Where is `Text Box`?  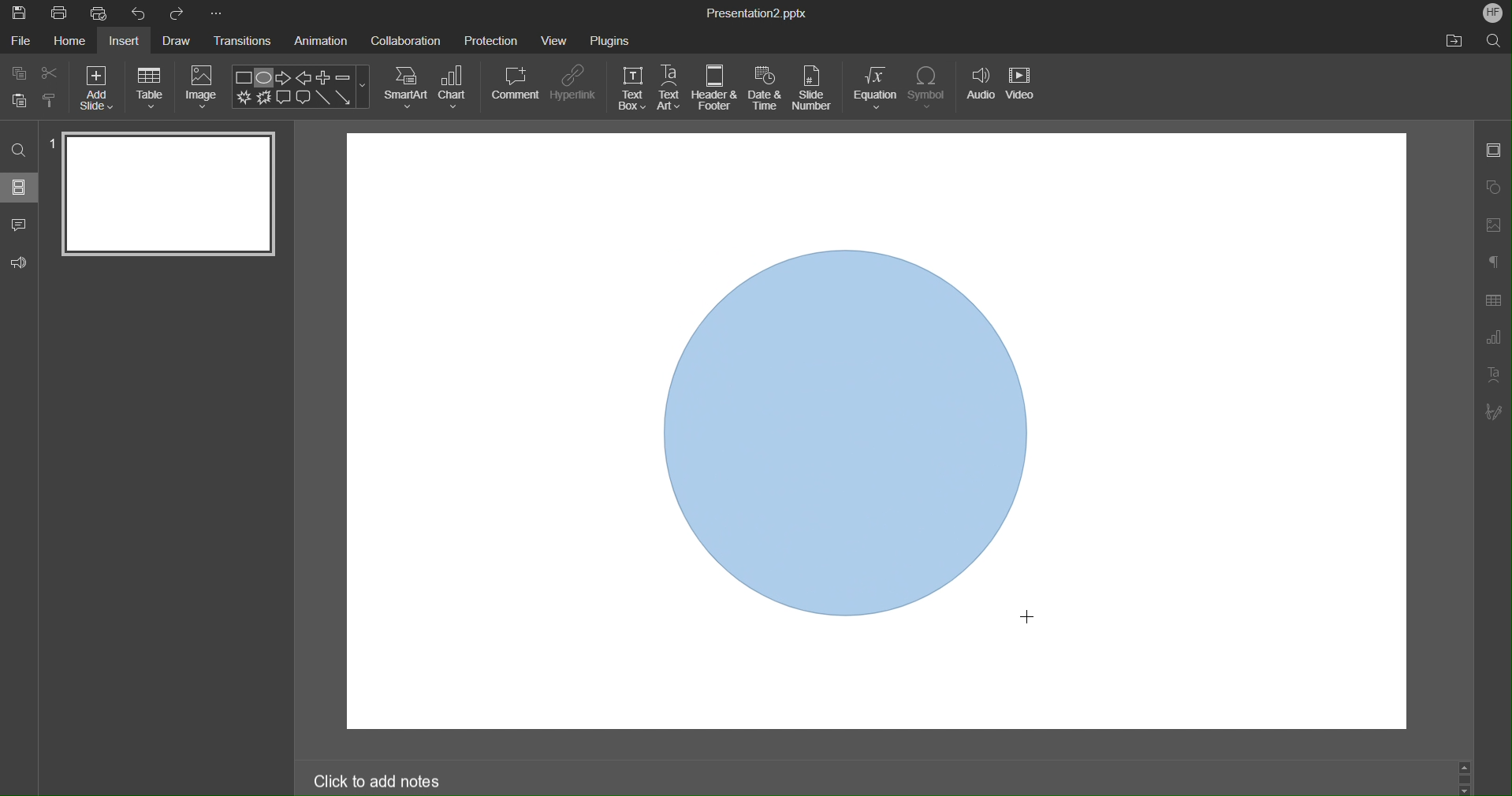 Text Box is located at coordinates (631, 88).